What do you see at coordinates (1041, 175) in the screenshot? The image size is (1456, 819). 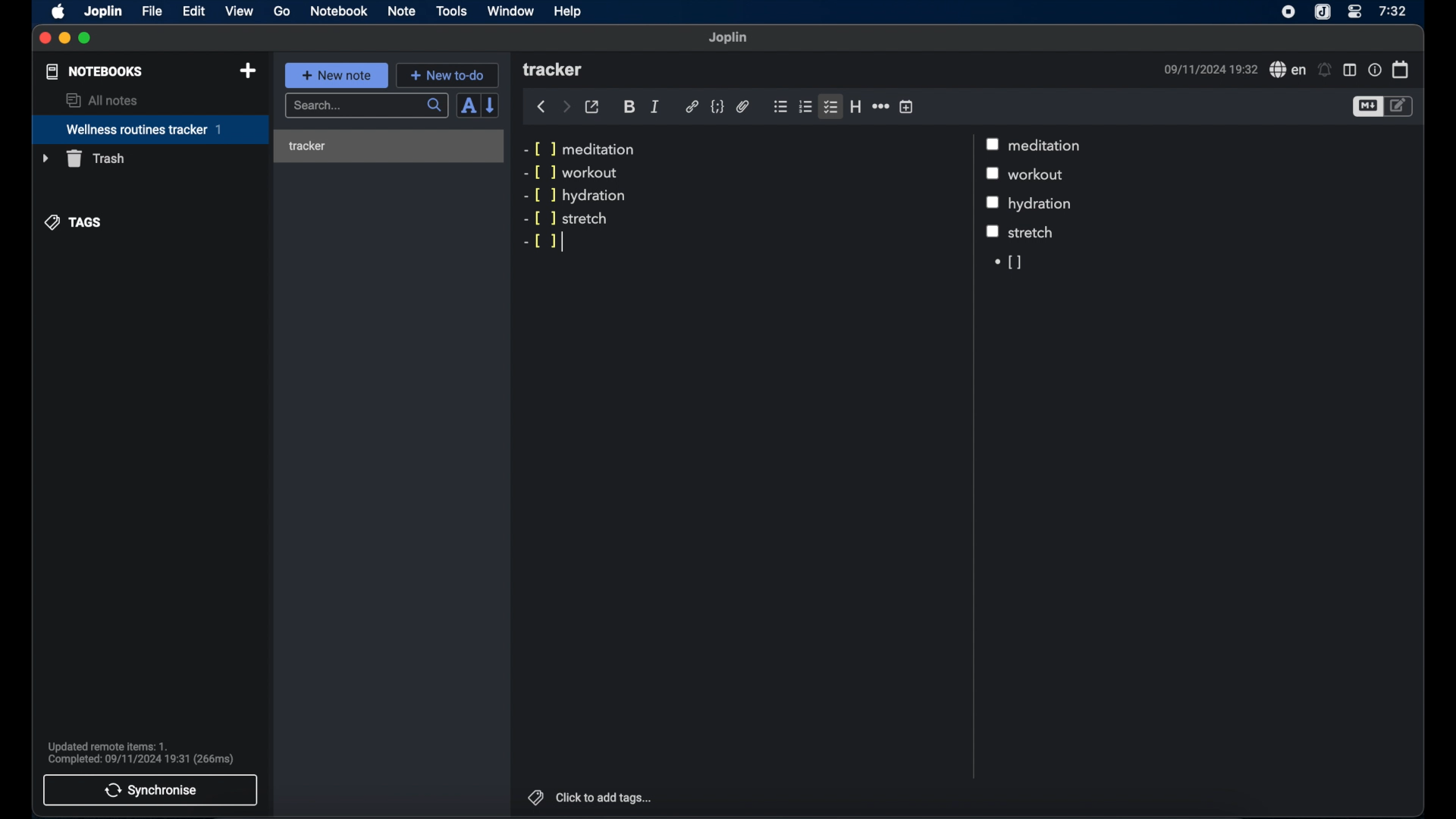 I see `workout` at bounding box center [1041, 175].